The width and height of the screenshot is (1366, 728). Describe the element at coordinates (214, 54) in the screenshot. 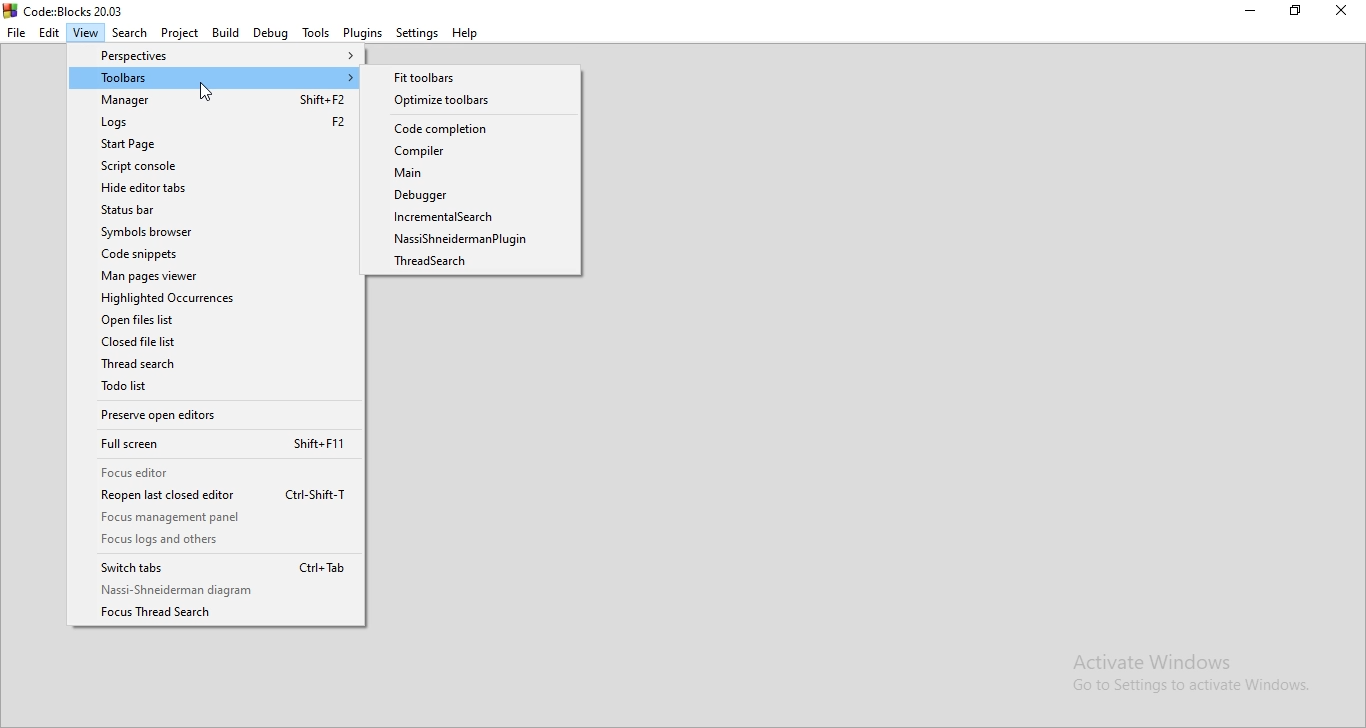

I see `Perspectives` at that location.